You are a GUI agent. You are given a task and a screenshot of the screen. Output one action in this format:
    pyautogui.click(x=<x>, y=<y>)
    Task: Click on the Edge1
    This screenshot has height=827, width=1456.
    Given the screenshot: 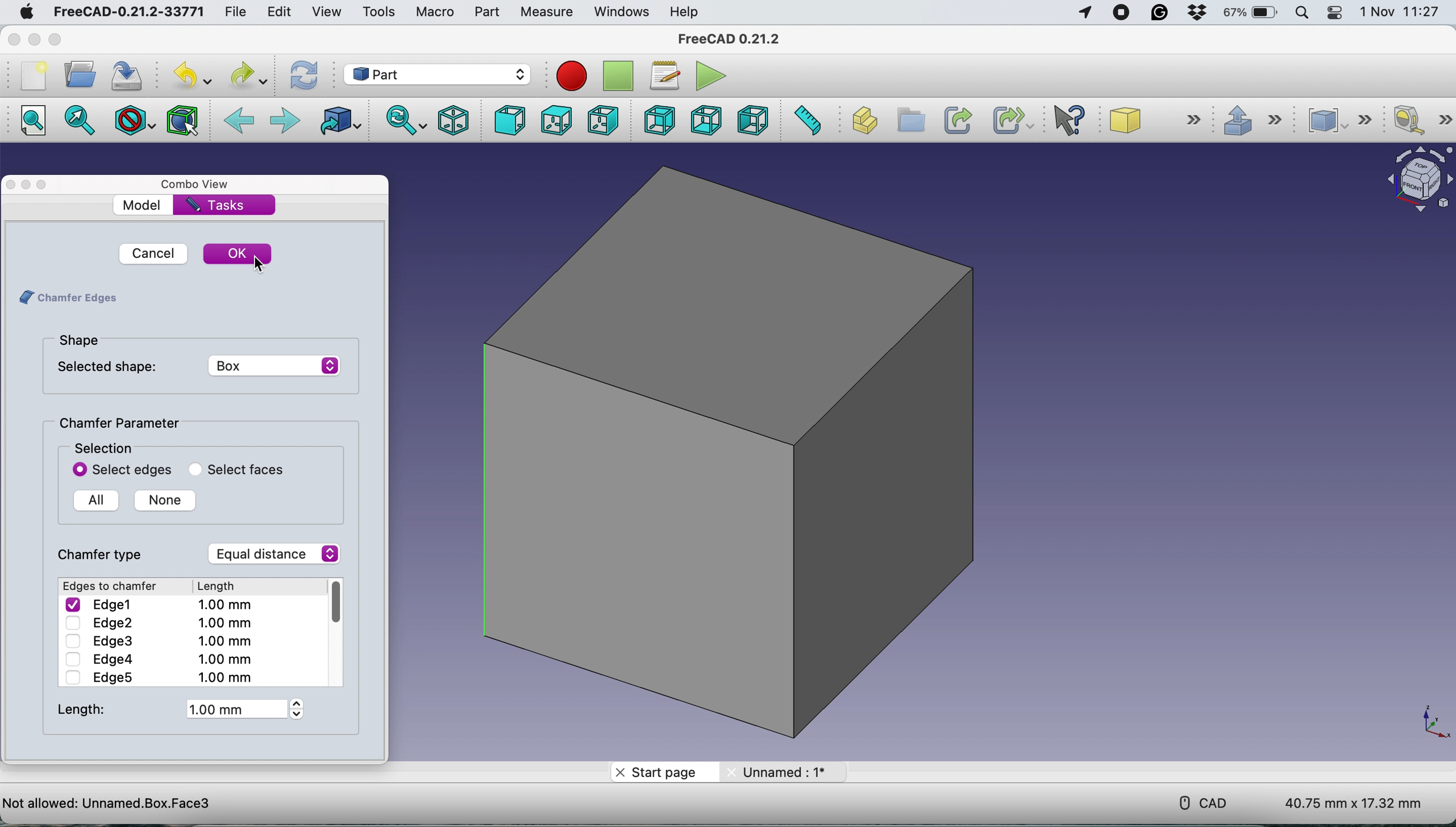 What is the action you would take?
    pyautogui.click(x=164, y=604)
    